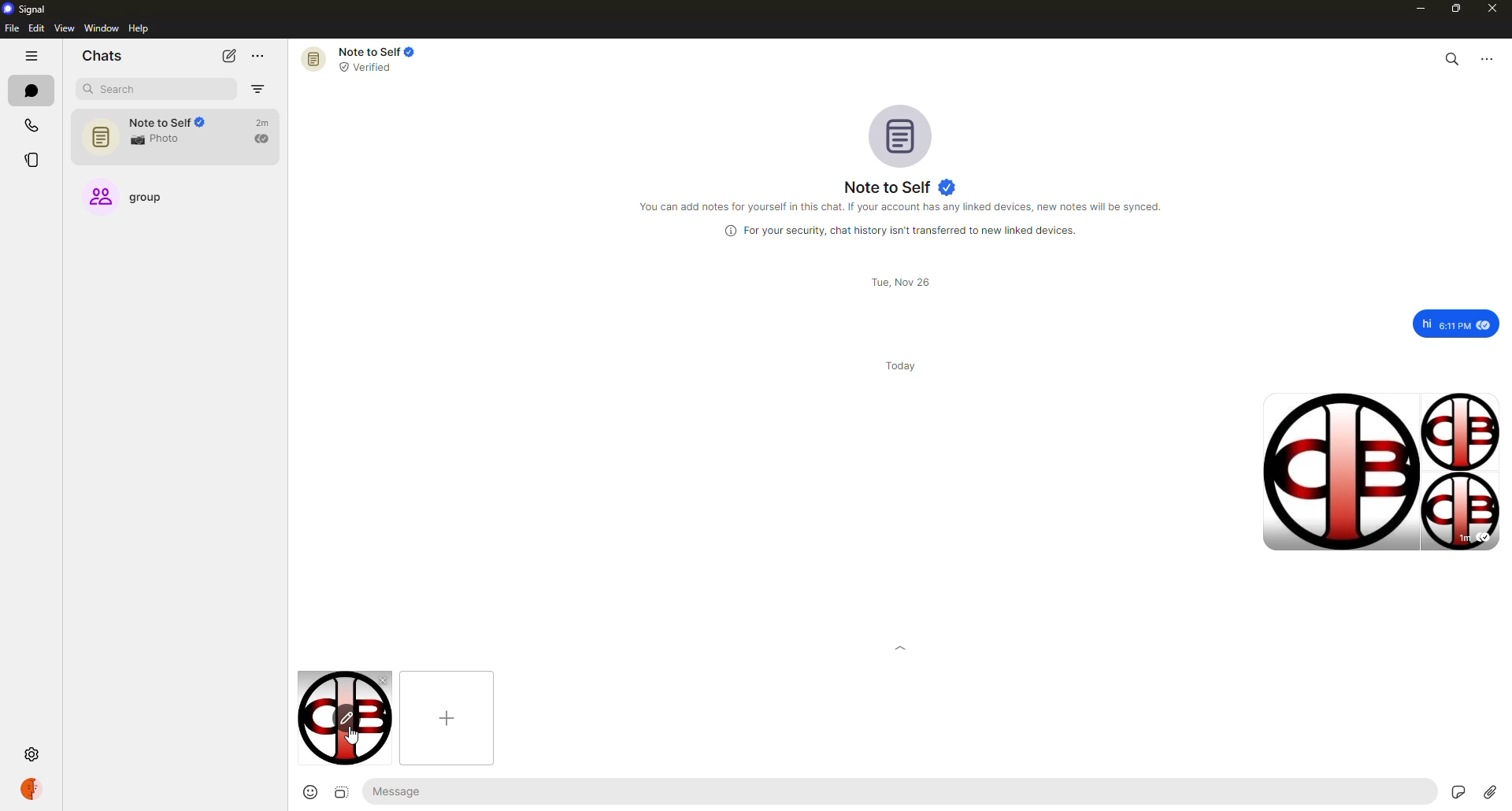 This screenshot has height=811, width=1512. What do you see at coordinates (1455, 791) in the screenshot?
I see `stickers` at bounding box center [1455, 791].